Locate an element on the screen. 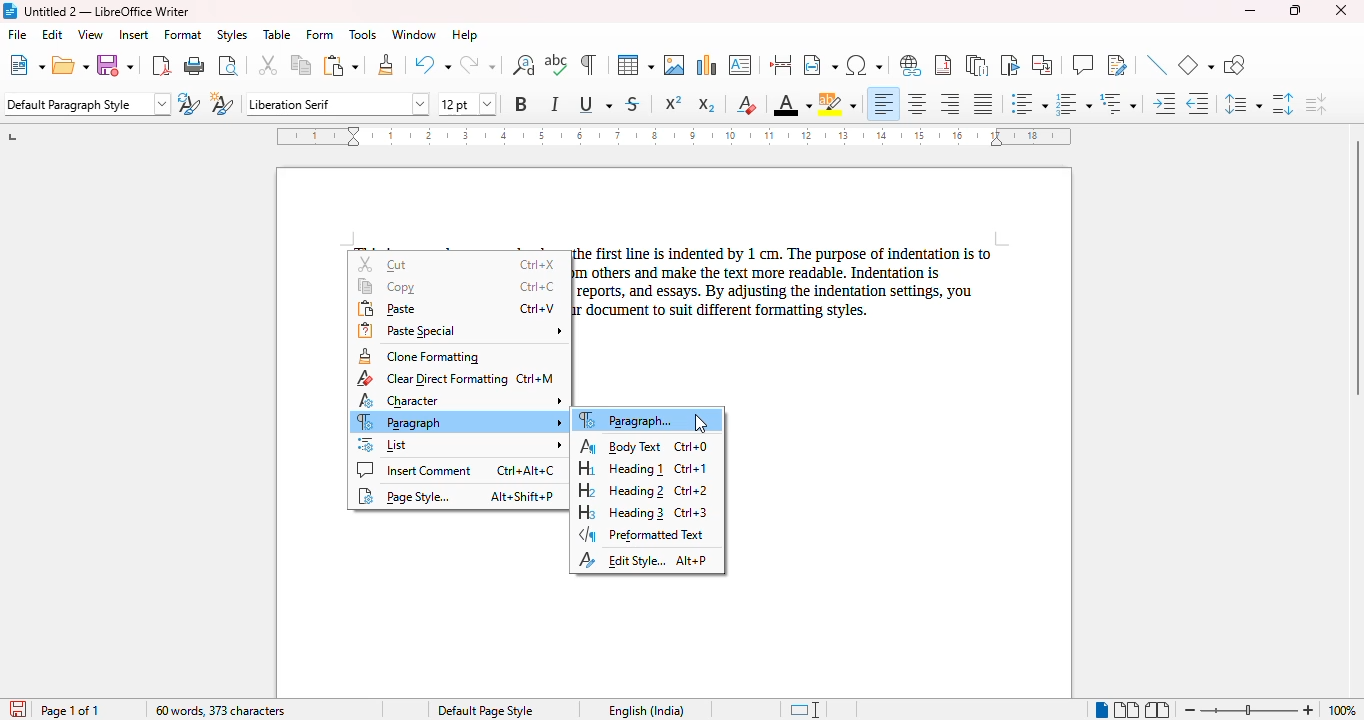 Image resolution: width=1364 pixels, height=720 pixels. list is located at coordinates (459, 444).